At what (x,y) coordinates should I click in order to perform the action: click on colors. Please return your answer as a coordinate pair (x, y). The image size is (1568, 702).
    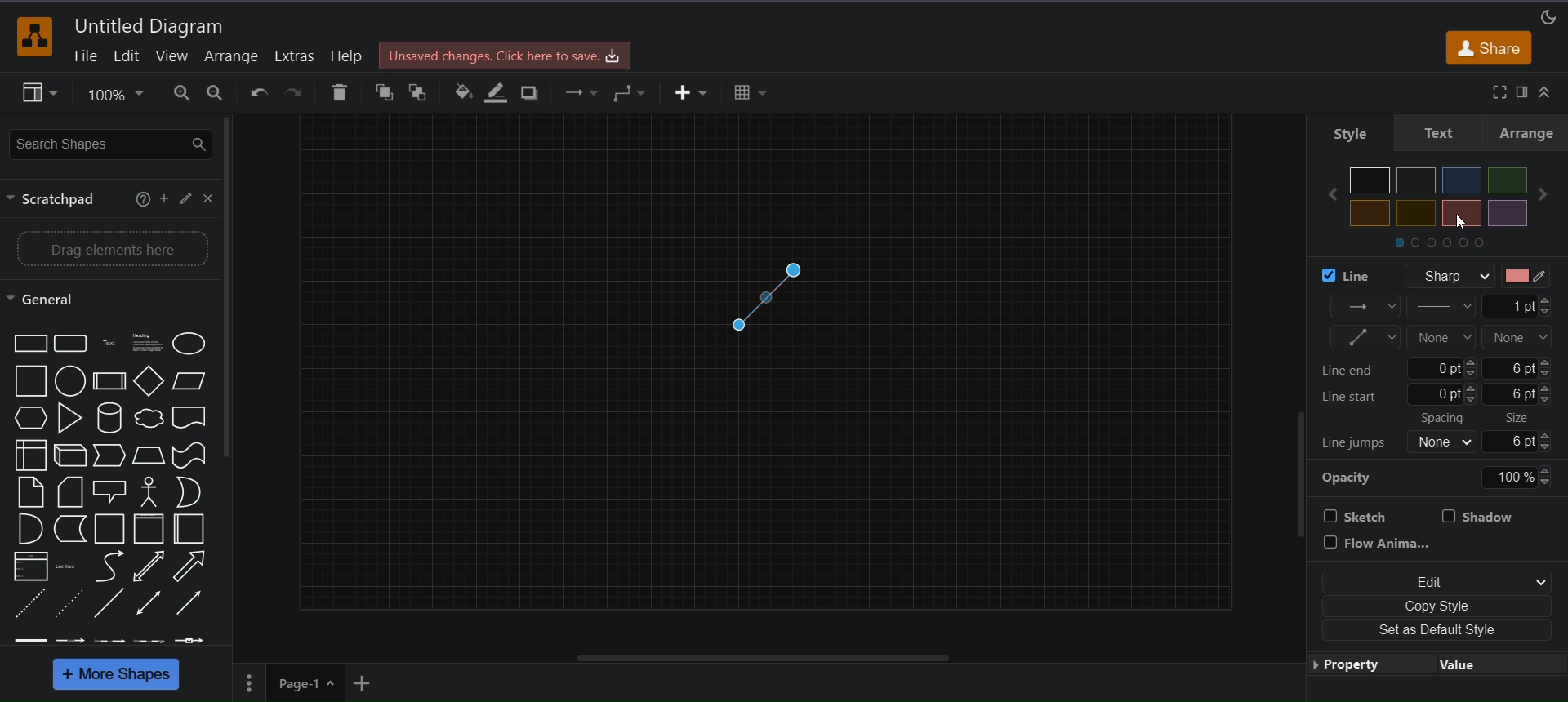
    Looking at the image, I should click on (1437, 209).